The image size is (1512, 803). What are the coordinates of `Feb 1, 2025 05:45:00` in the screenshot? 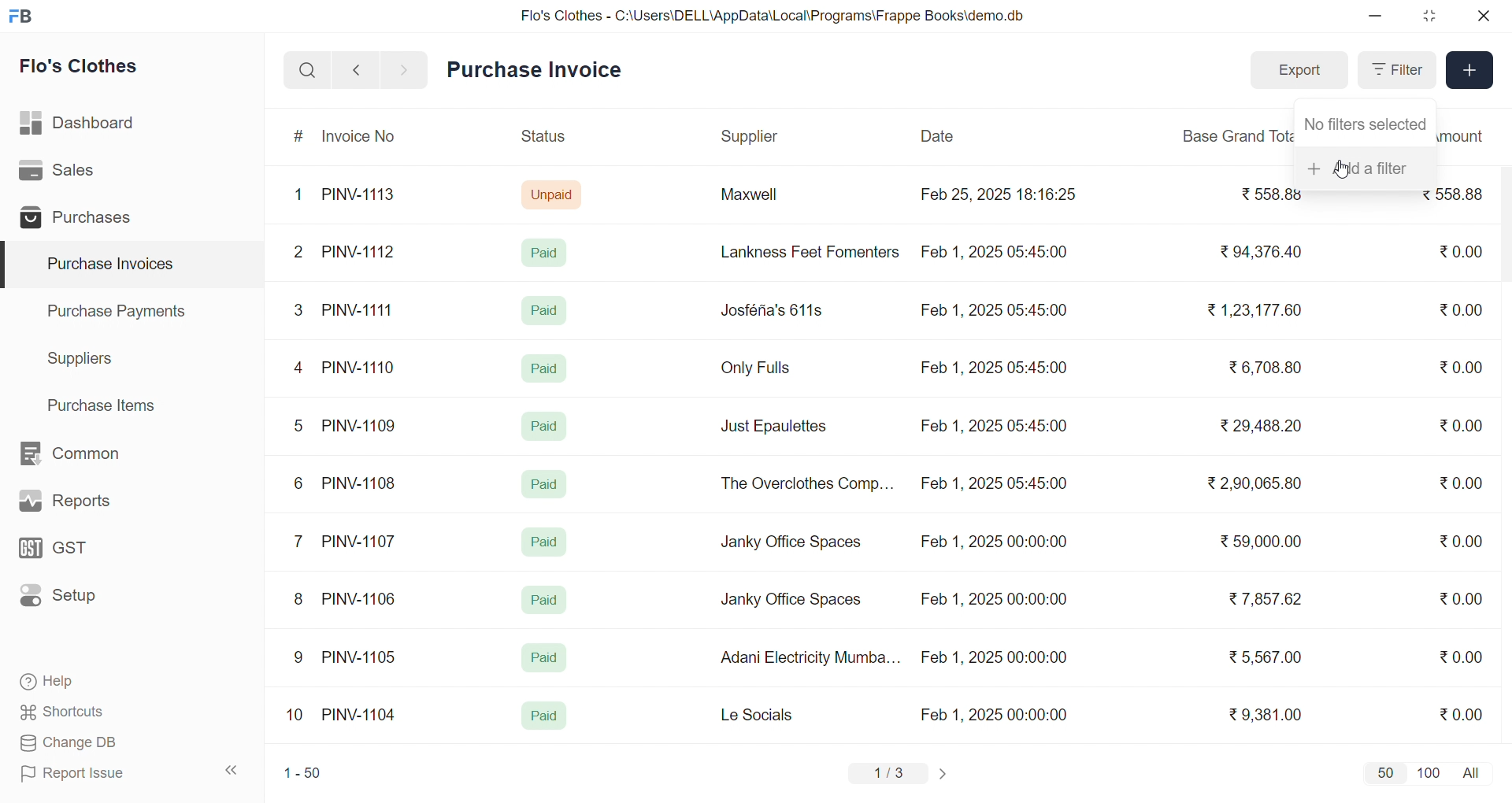 It's located at (996, 368).